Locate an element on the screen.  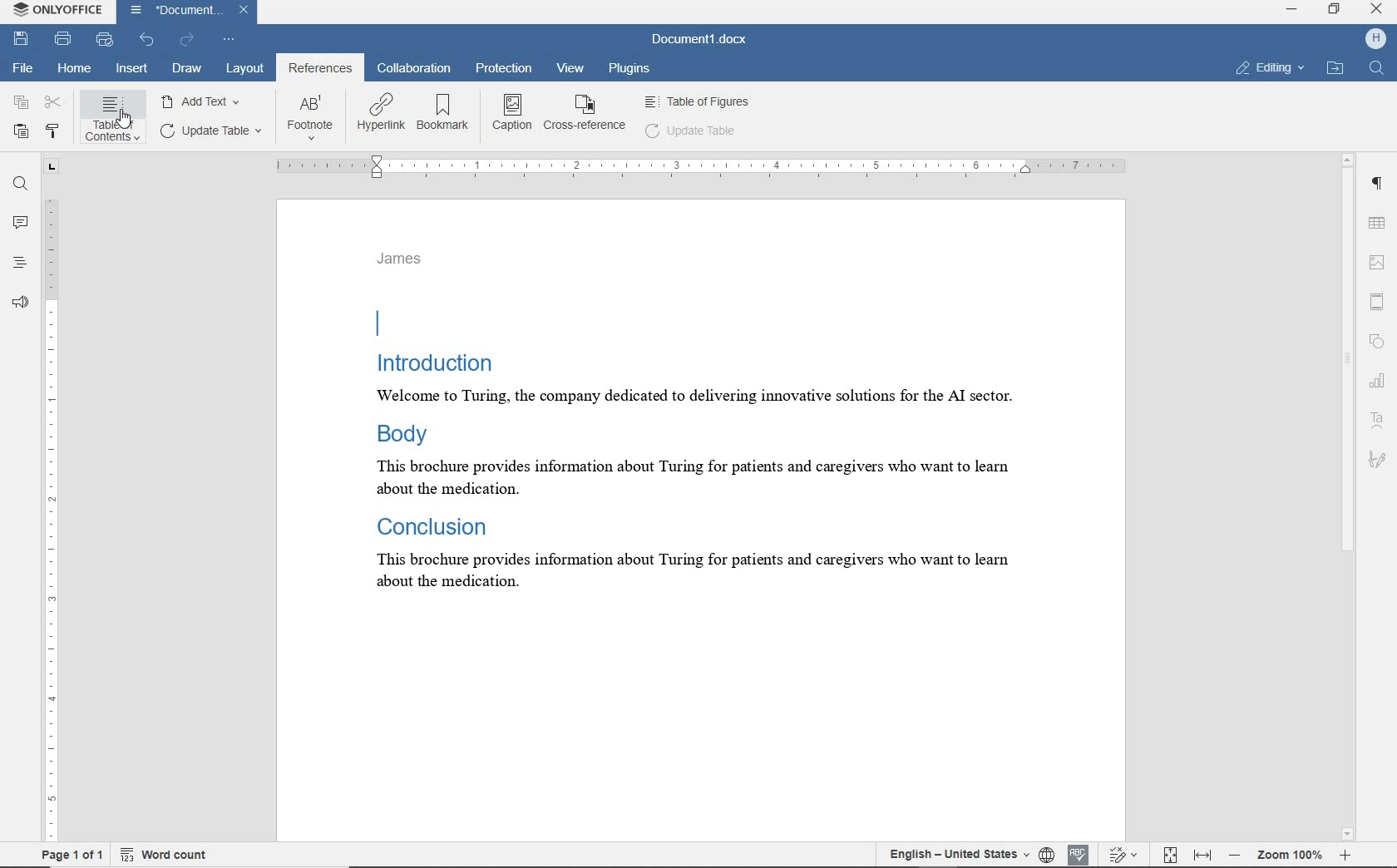
customize quick access toolbar is located at coordinates (230, 40).